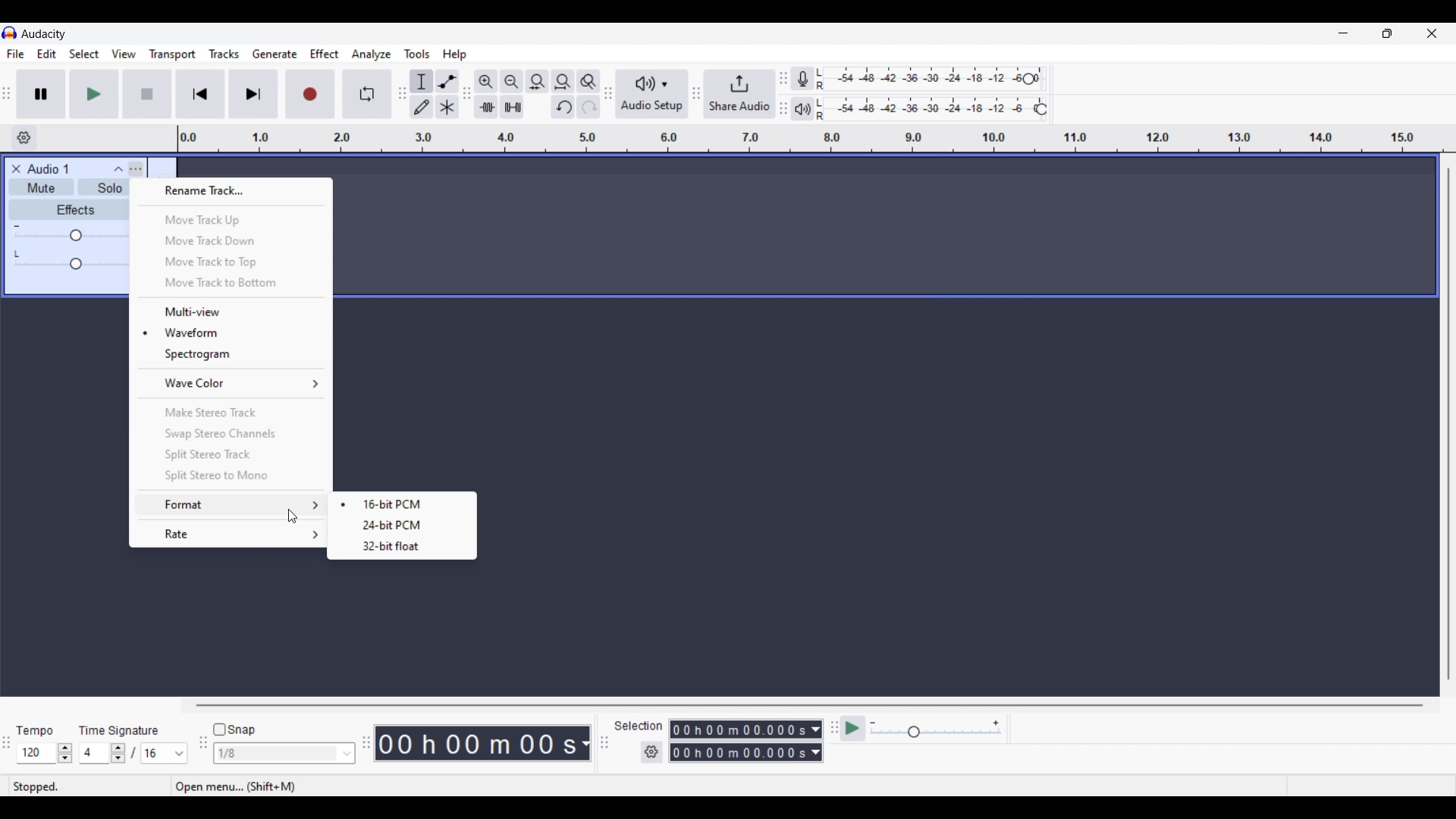 Image resolution: width=1456 pixels, height=819 pixels. I want to click on Split stereo track, so click(231, 454).